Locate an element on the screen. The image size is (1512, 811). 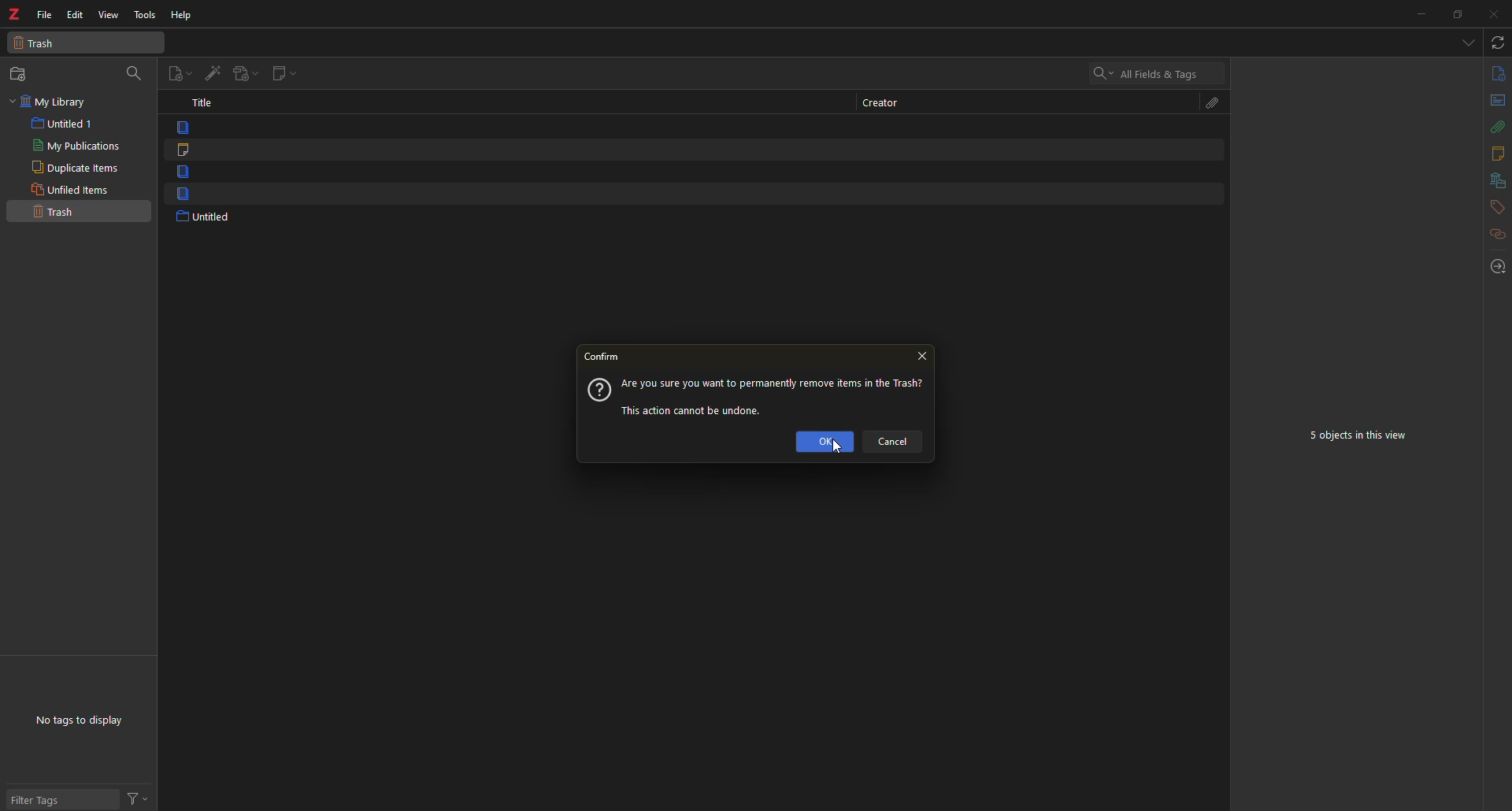
confirm is located at coordinates (606, 357).